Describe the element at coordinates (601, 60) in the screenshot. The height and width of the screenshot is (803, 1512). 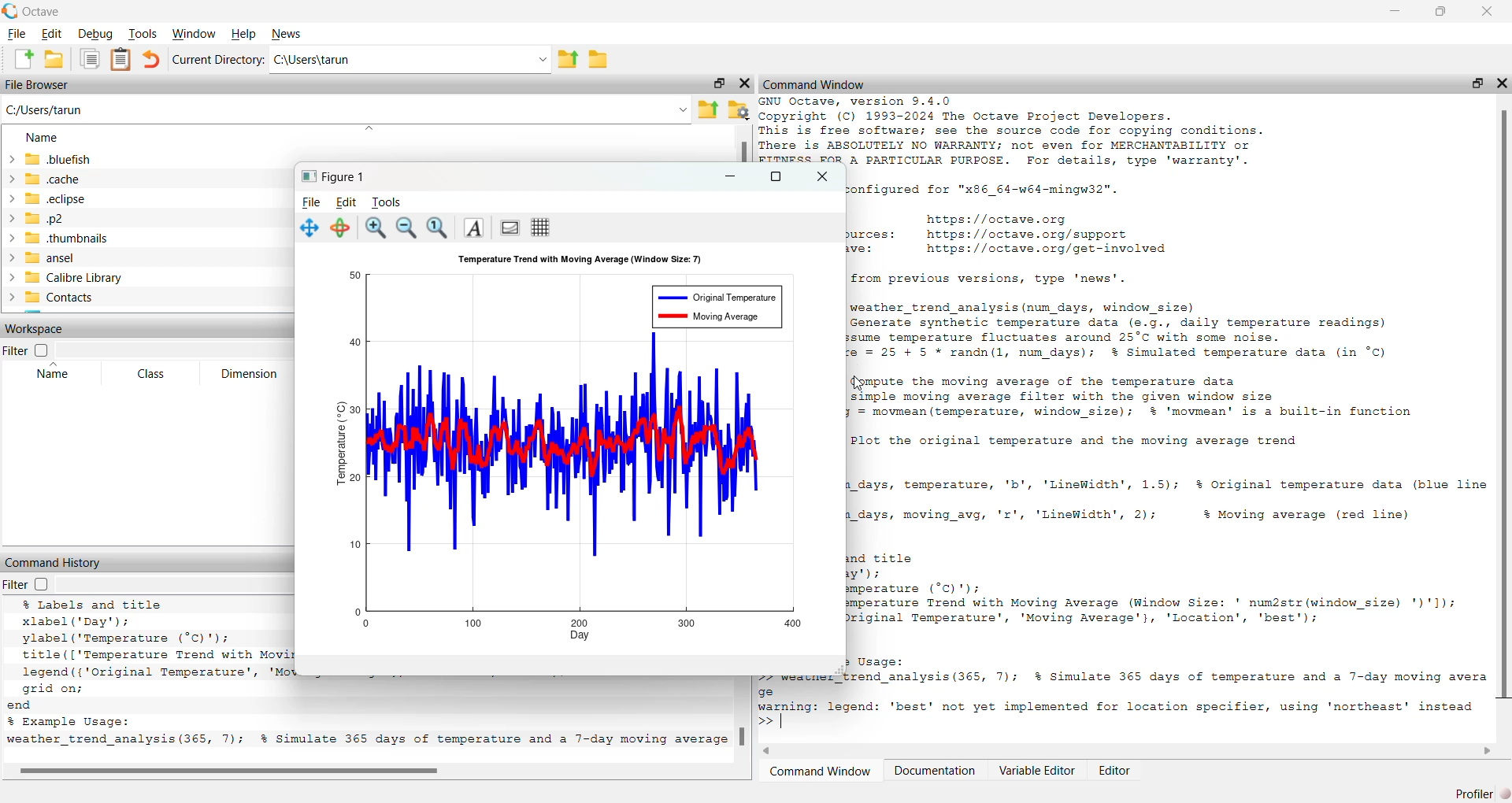
I see `Create a folder` at that location.